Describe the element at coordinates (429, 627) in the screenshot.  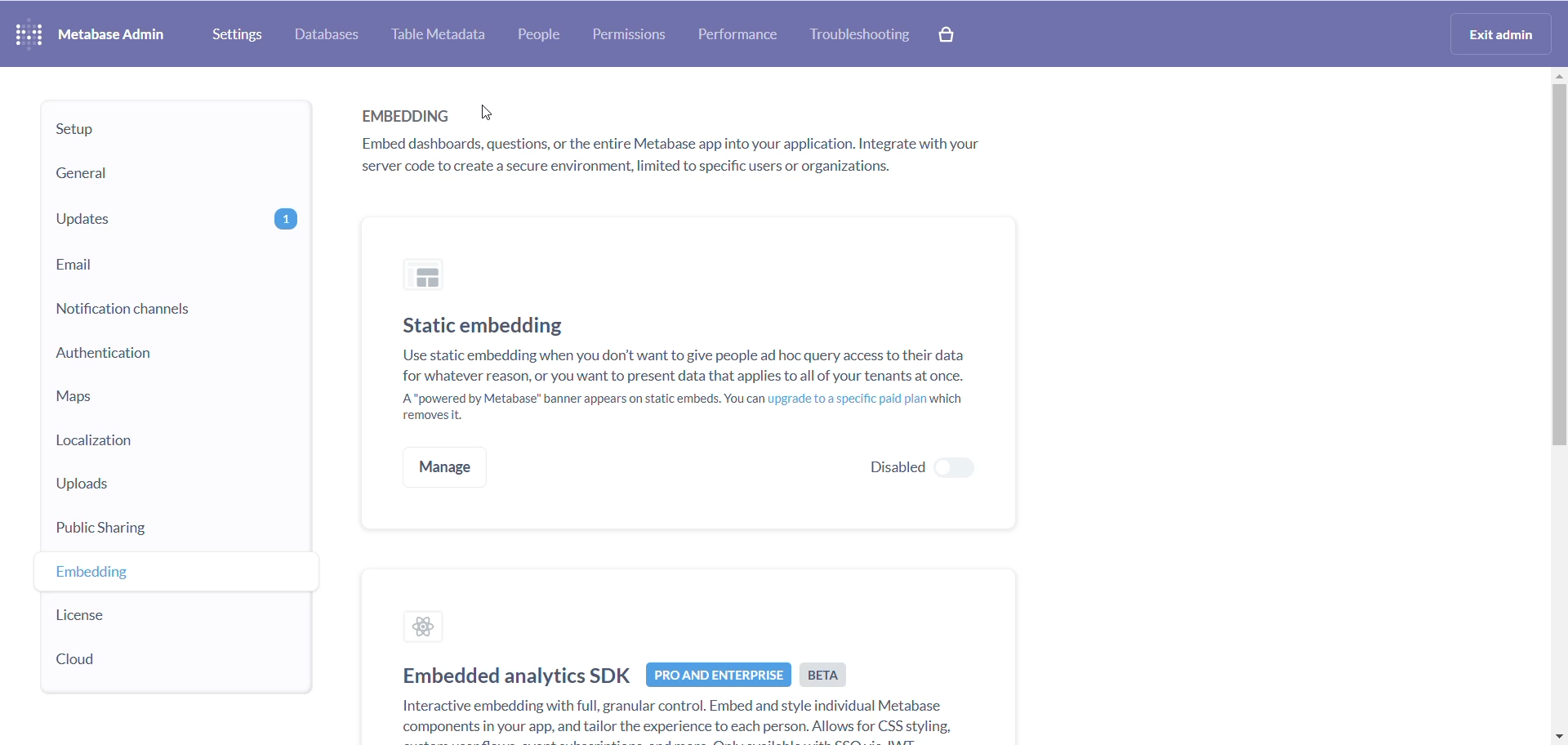
I see `icon` at that location.